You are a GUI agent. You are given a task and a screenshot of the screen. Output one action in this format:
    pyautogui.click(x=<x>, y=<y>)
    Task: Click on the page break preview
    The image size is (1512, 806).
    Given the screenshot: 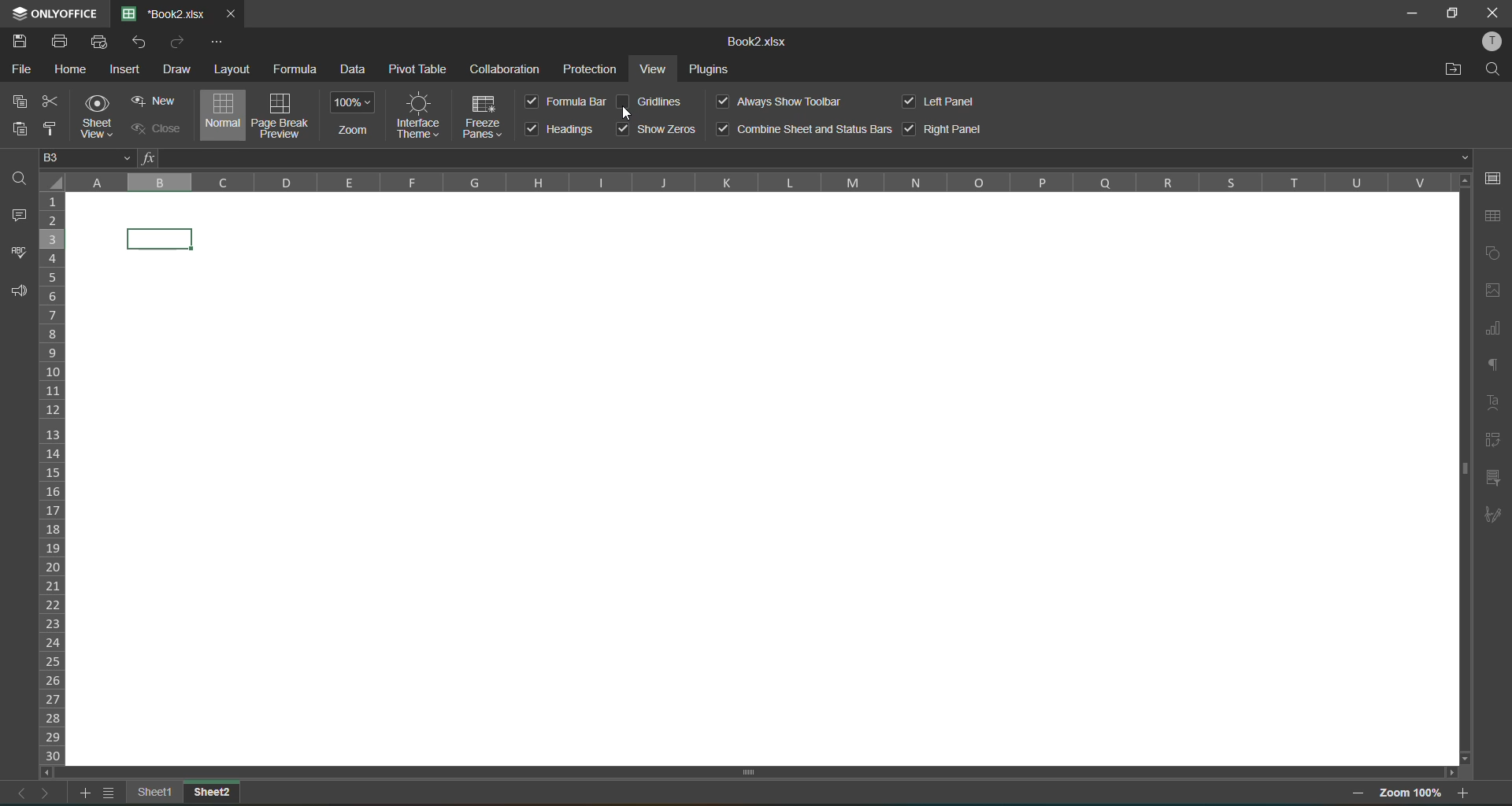 What is the action you would take?
    pyautogui.click(x=280, y=114)
    